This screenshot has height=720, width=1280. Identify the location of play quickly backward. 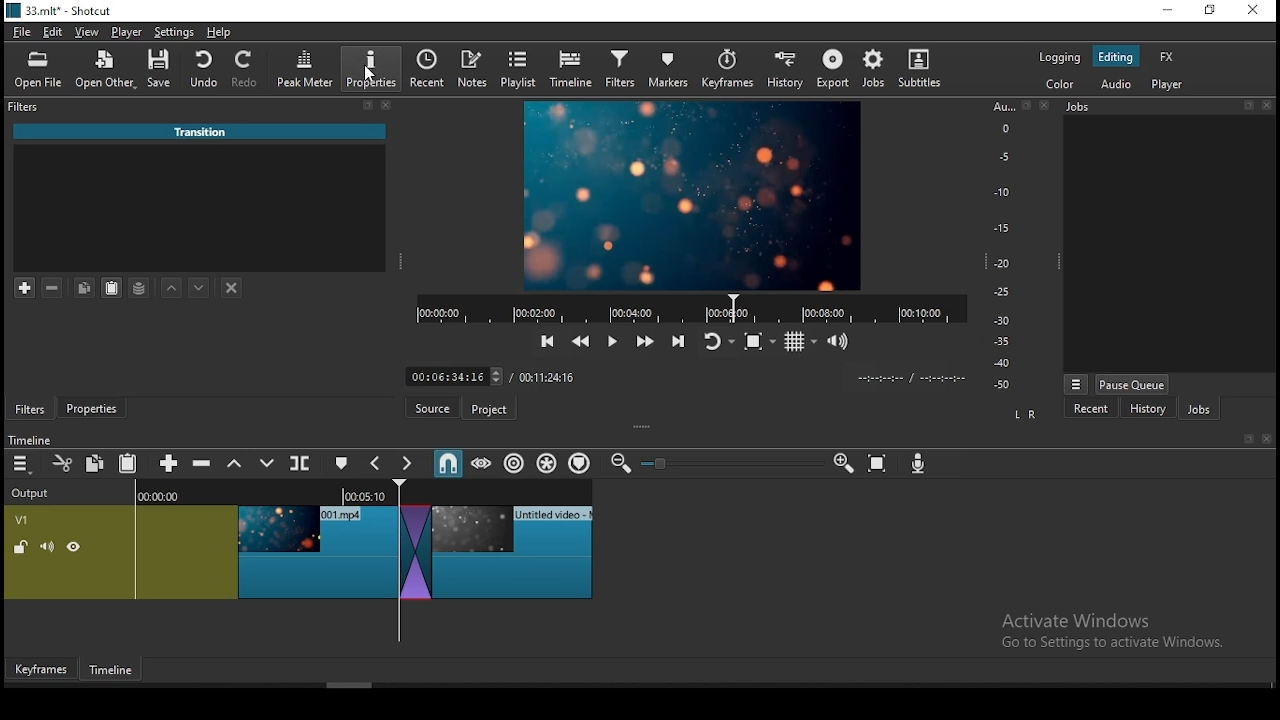
(579, 339).